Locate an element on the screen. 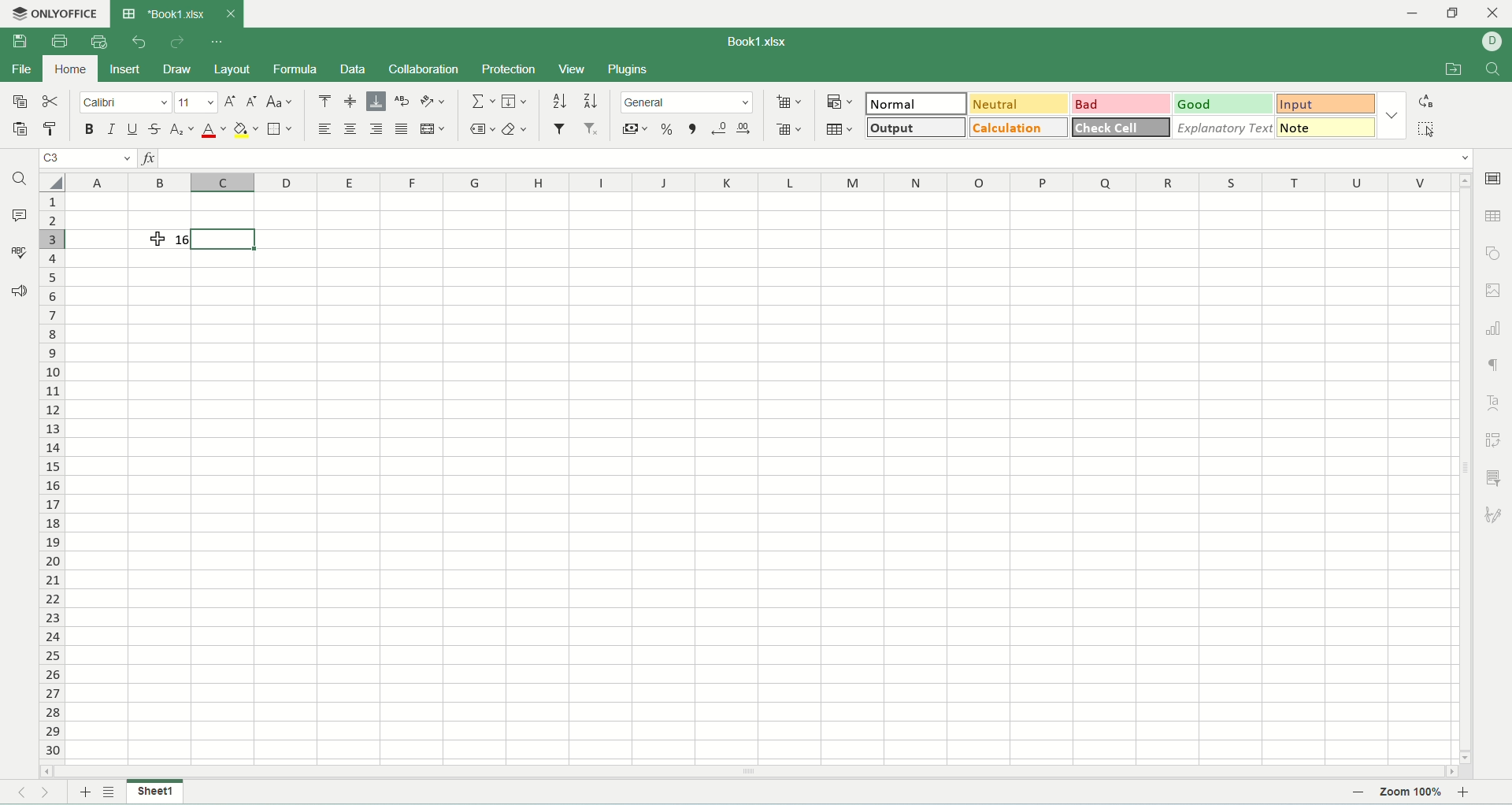 This screenshot has width=1512, height=805. font name is located at coordinates (128, 103).